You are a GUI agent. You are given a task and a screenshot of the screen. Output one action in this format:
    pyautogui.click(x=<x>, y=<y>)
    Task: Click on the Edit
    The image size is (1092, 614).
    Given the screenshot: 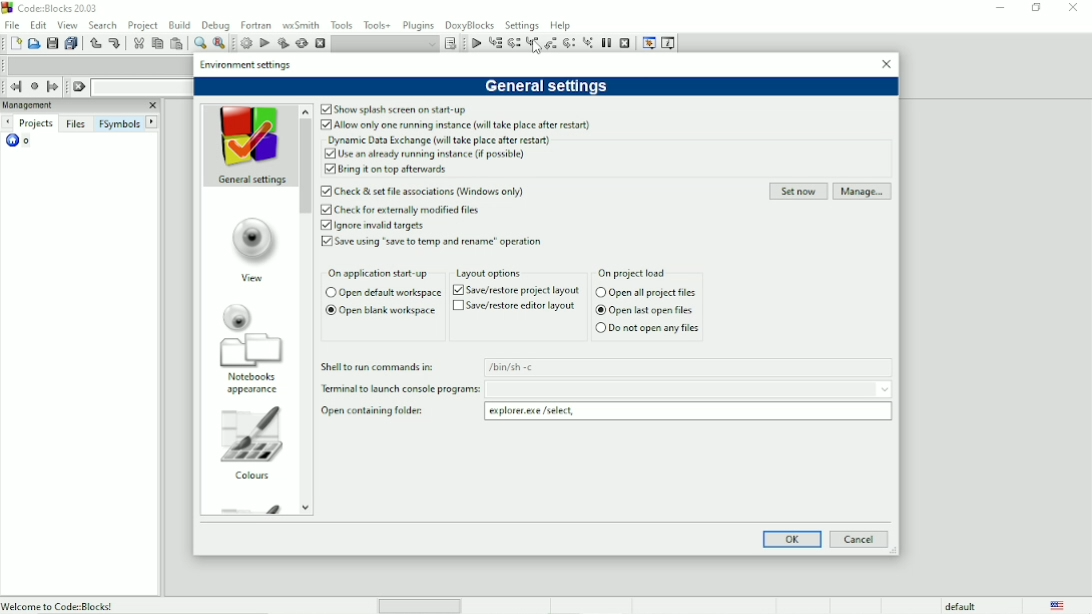 What is the action you would take?
    pyautogui.click(x=38, y=25)
    